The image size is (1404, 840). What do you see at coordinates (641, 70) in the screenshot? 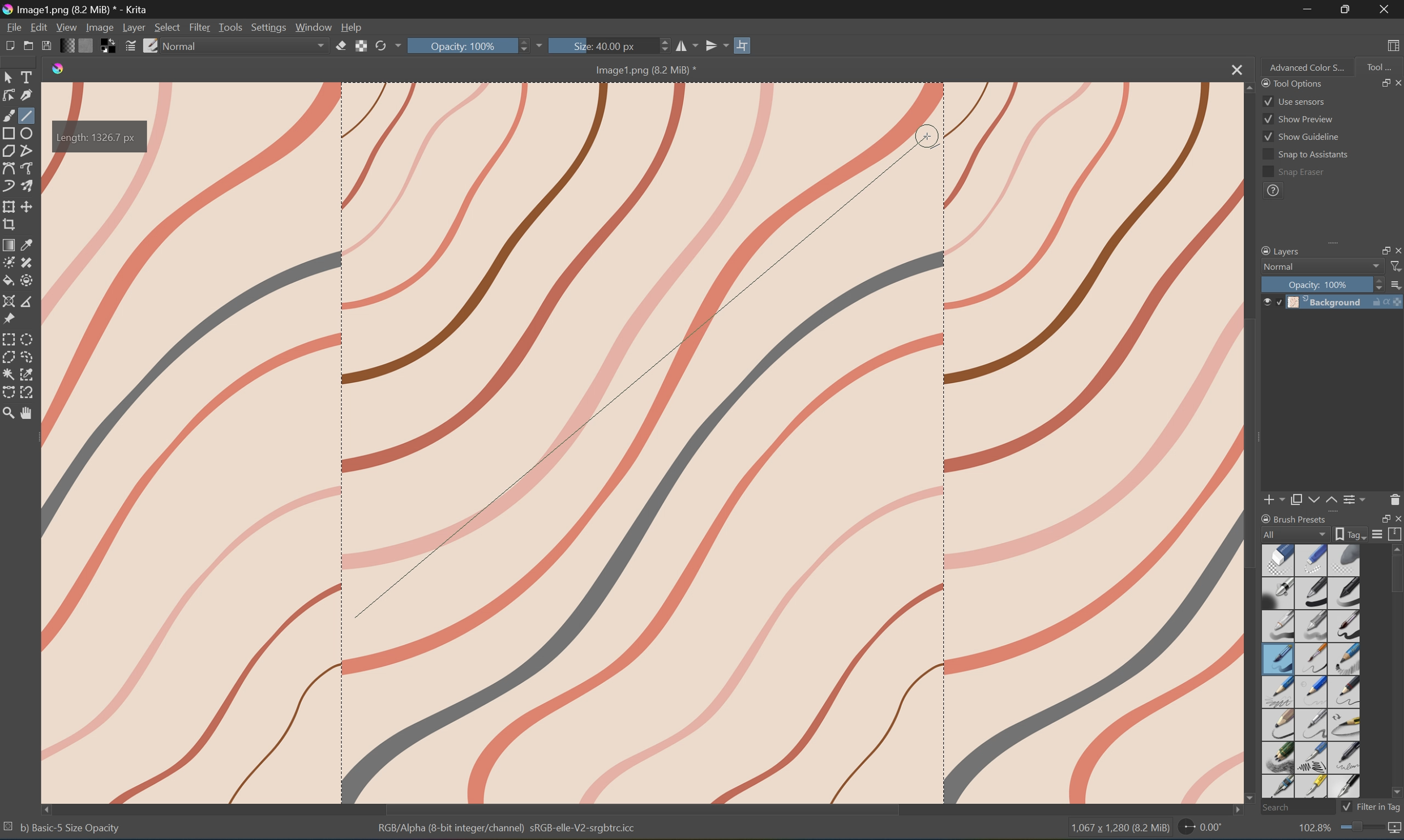
I see `Image1.png (8.2 MB)` at bounding box center [641, 70].